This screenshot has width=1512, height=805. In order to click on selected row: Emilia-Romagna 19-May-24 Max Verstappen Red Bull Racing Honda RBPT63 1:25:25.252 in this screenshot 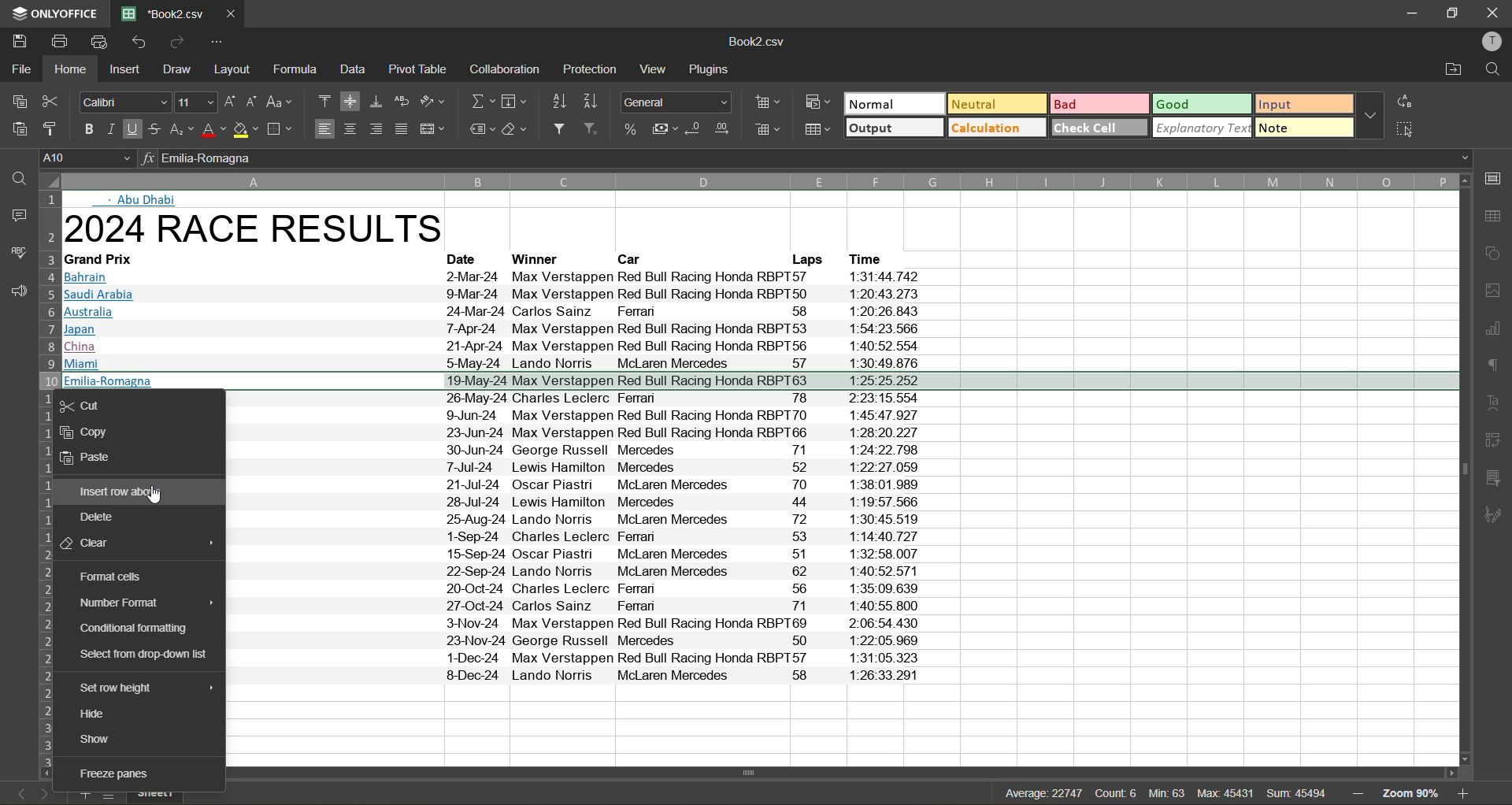, I will do `click(762, 383)`.